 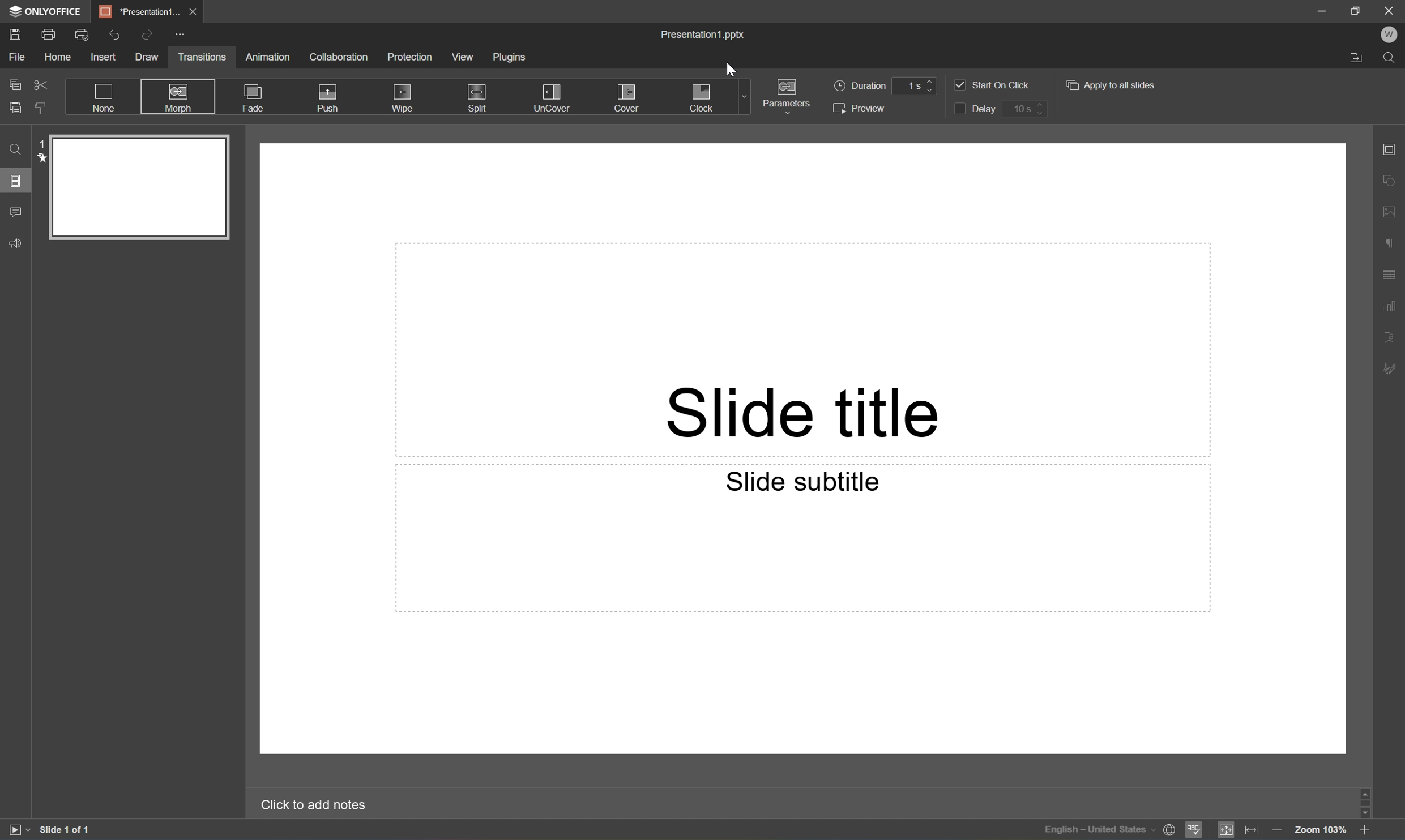 What do you see at coordinates (194, 12) in the screenshot?
I see `Close` at bounding box center [194, 12].